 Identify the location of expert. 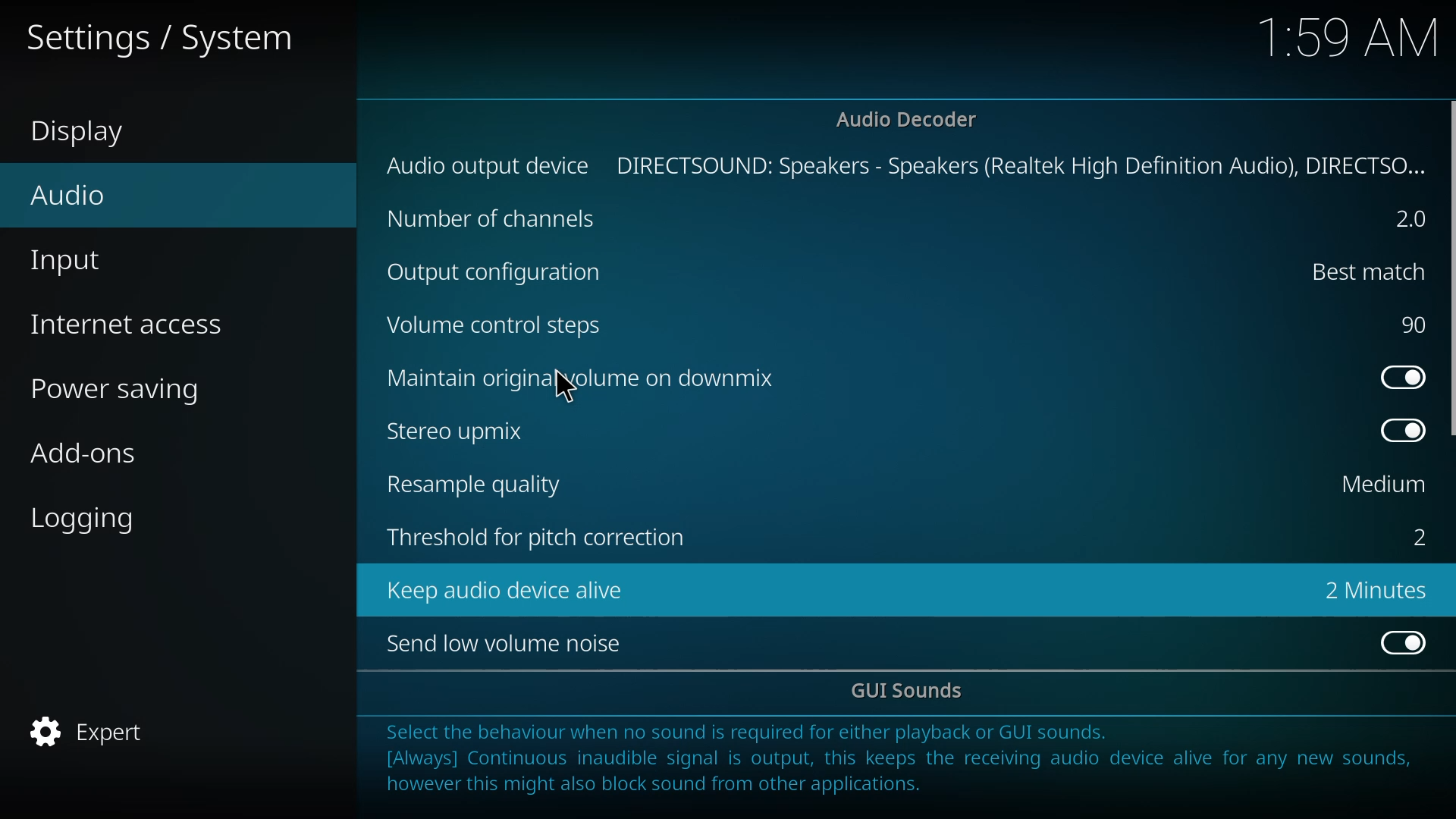
(96, 734).